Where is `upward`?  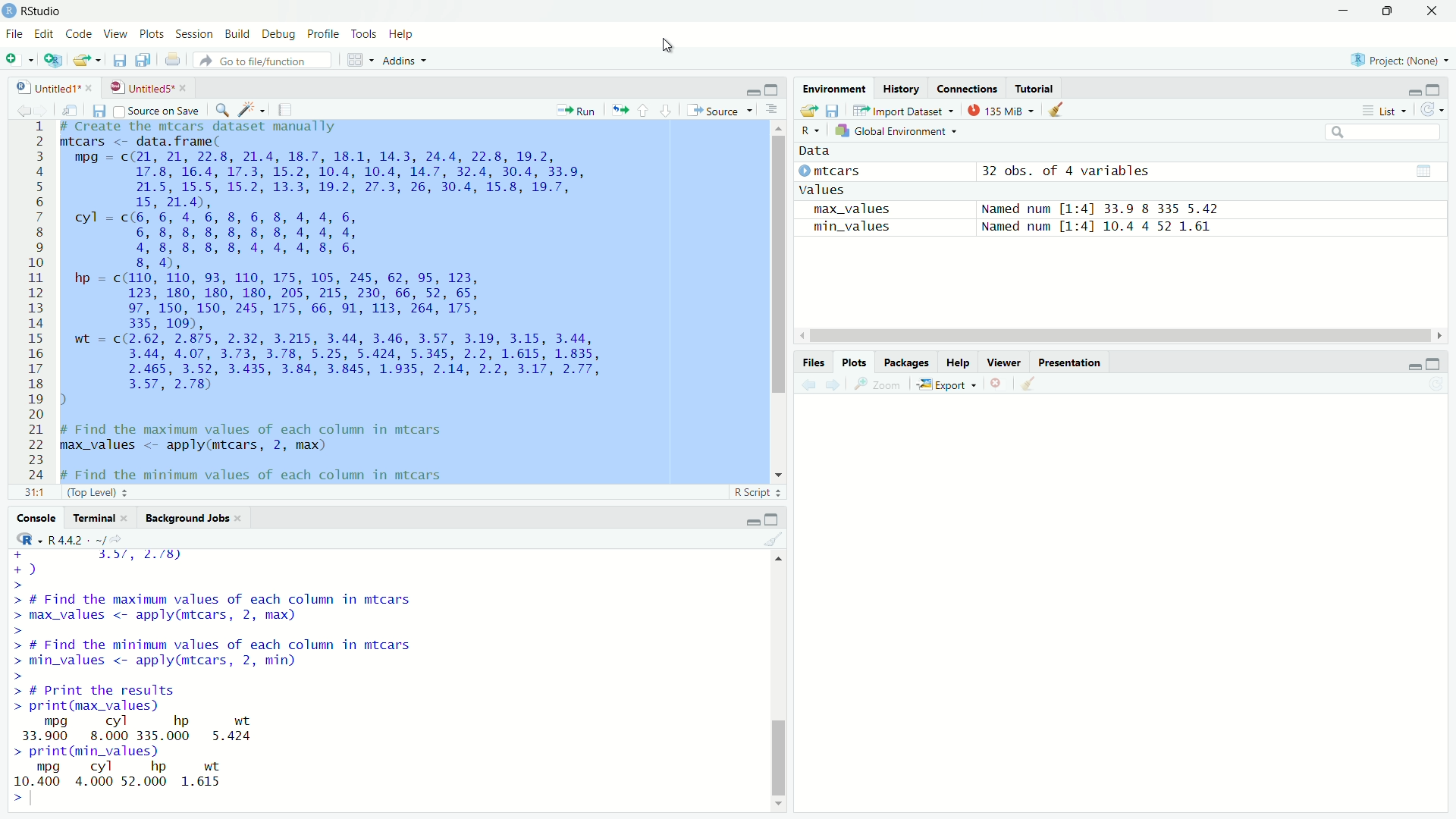 upward is located at coordinates (648, 111).